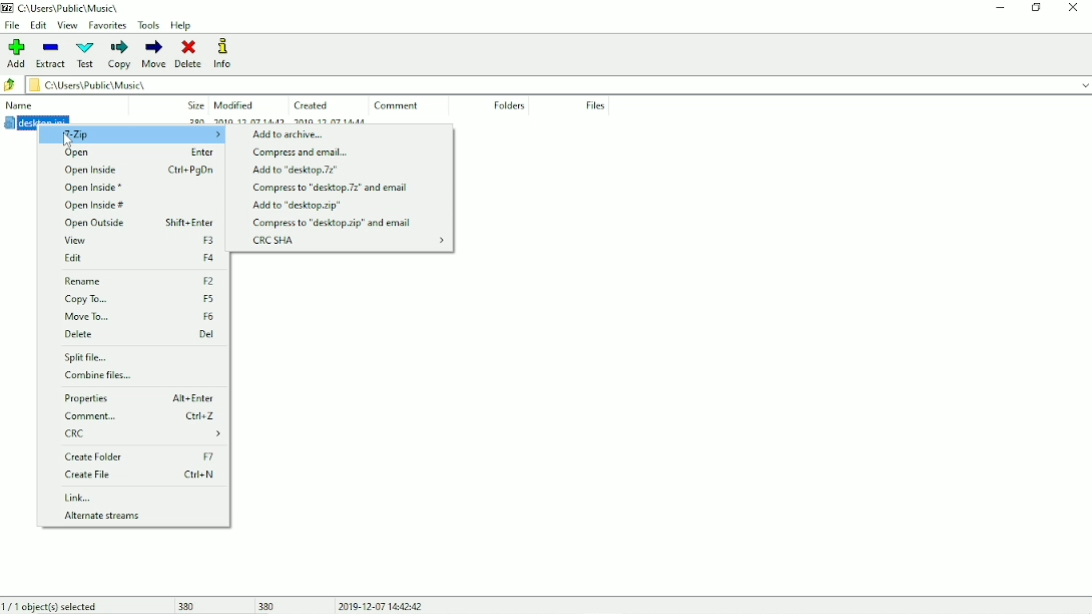 Image resolution: width=1092 pixels, height=614 pixels. Describe the element at coordinates (69, 7) in the screenshot. I see `c\users\Pubhc\Music\` at that location.